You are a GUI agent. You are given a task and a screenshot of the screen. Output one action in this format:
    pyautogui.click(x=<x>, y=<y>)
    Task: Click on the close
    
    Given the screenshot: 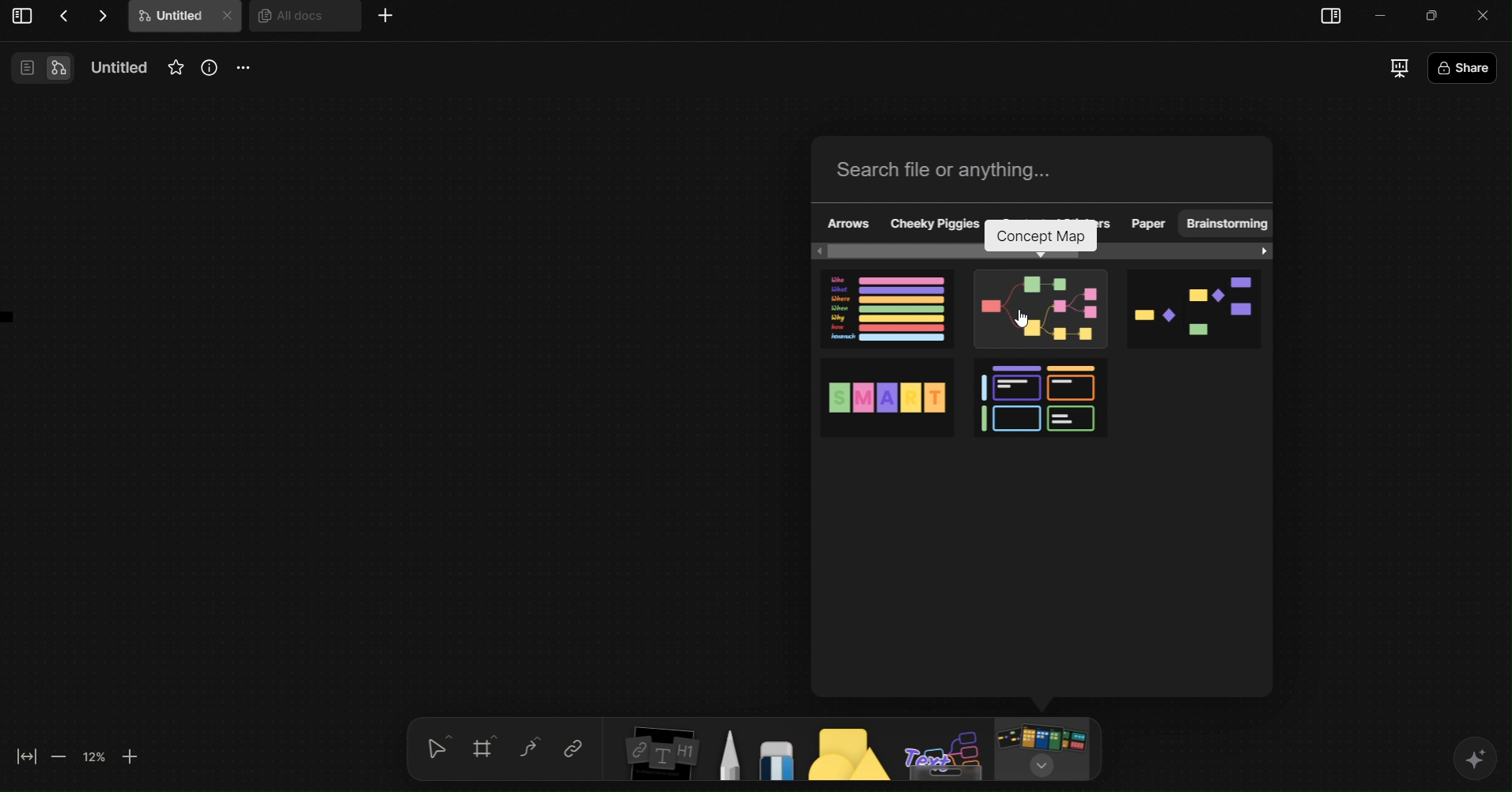 What is the action you would take?
    pyautogui.click(x=1491, y=13)
    